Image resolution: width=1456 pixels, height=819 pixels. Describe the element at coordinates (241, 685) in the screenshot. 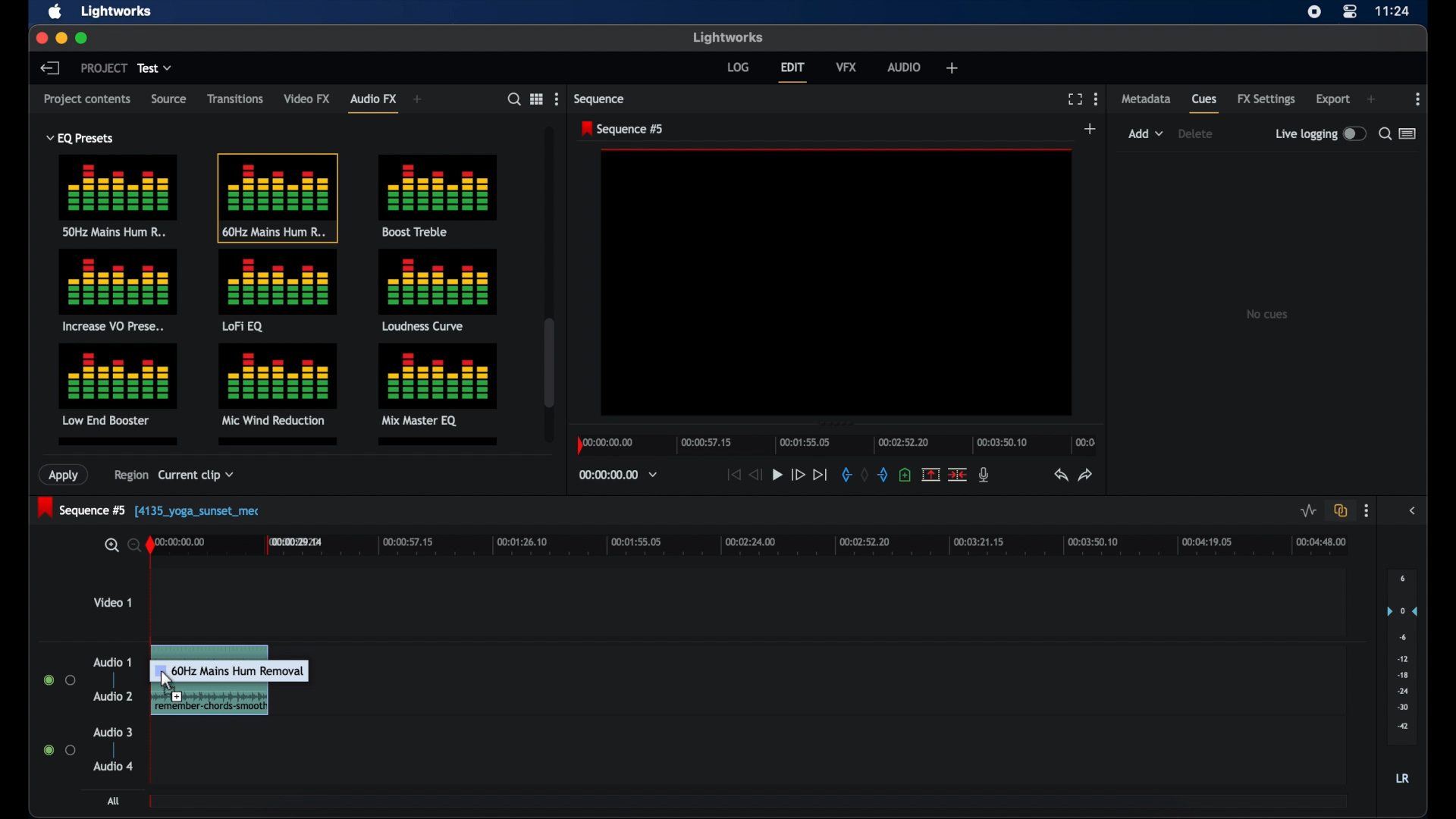

I see `drag cursor` at that location.